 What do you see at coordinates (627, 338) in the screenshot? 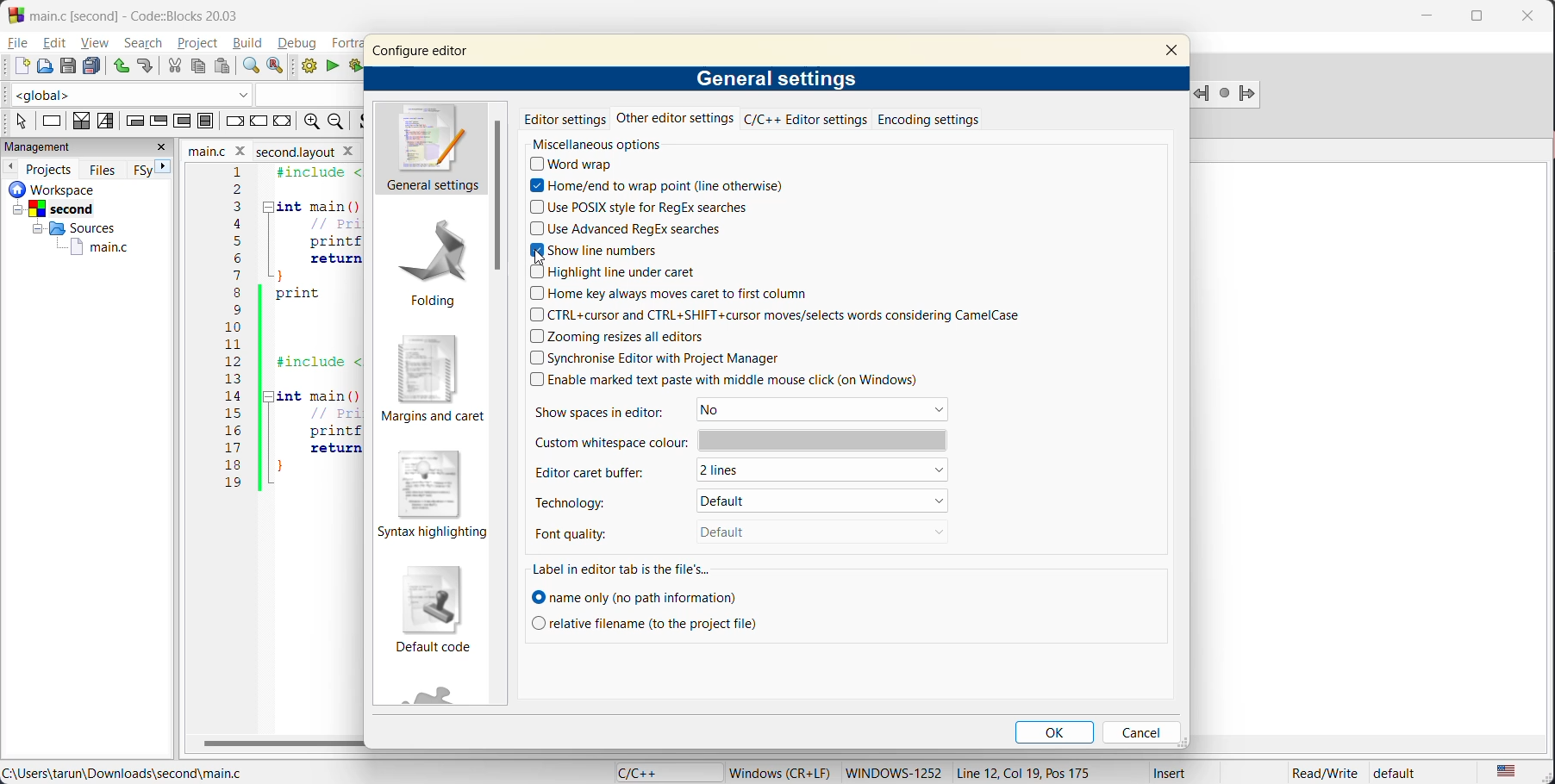
I see `zooming resizes all editors` at bounding box center [627, 338].